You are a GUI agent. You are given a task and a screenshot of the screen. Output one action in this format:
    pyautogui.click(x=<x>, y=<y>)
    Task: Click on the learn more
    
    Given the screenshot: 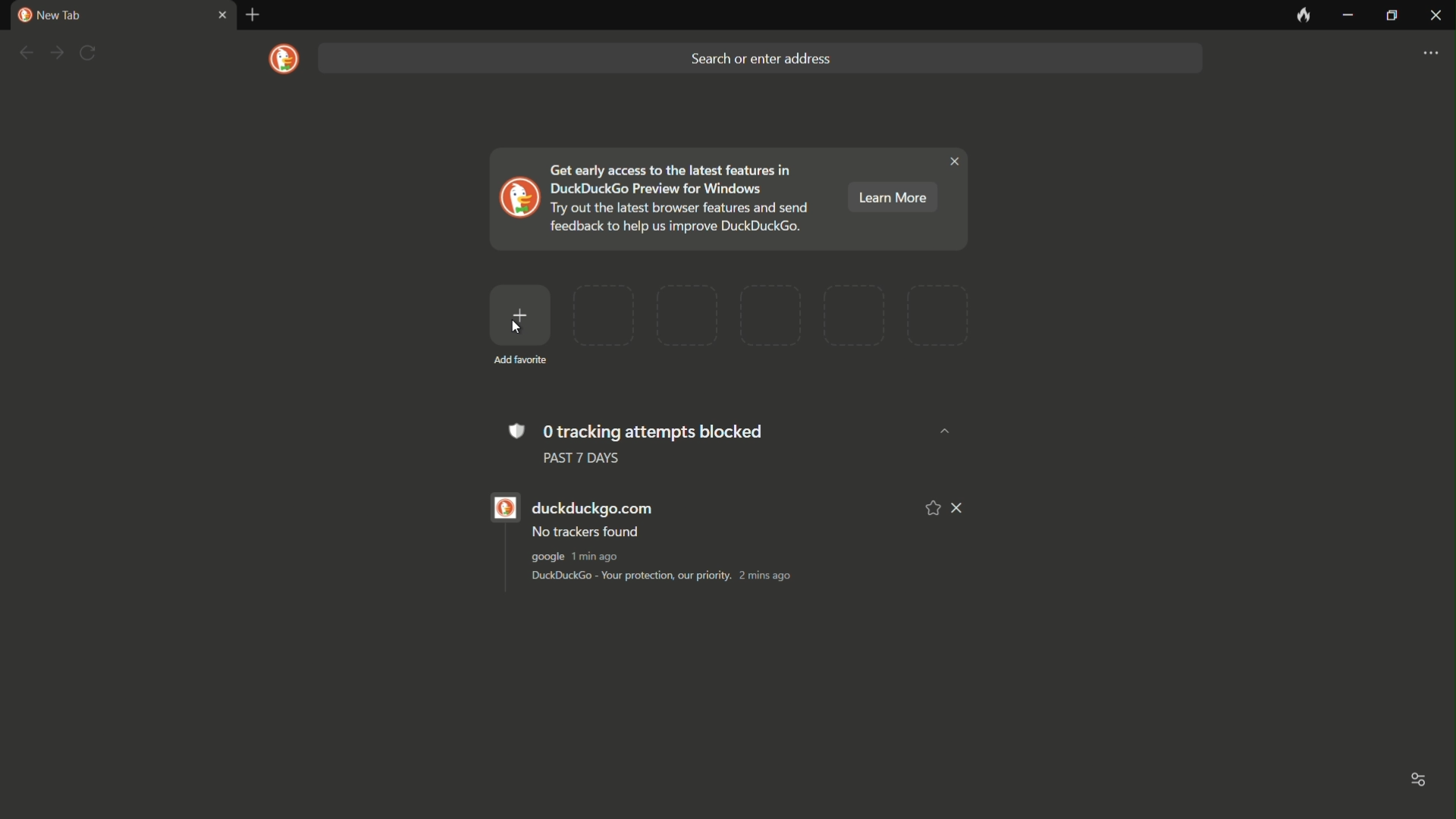 What is the action you would take?
    pyautogui.click(x=890, y=199)
    